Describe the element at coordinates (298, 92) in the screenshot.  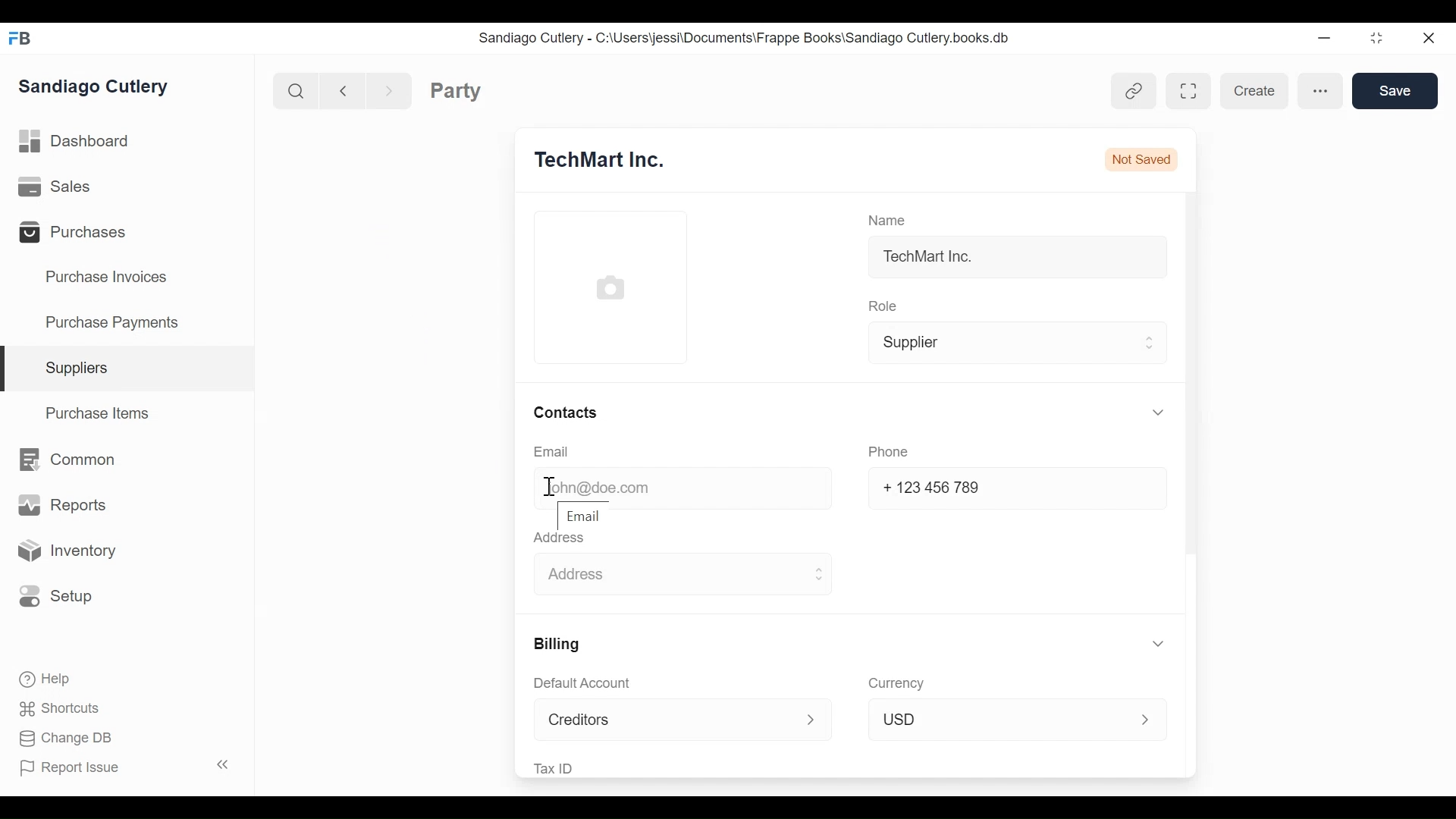
I see `search` at that location.